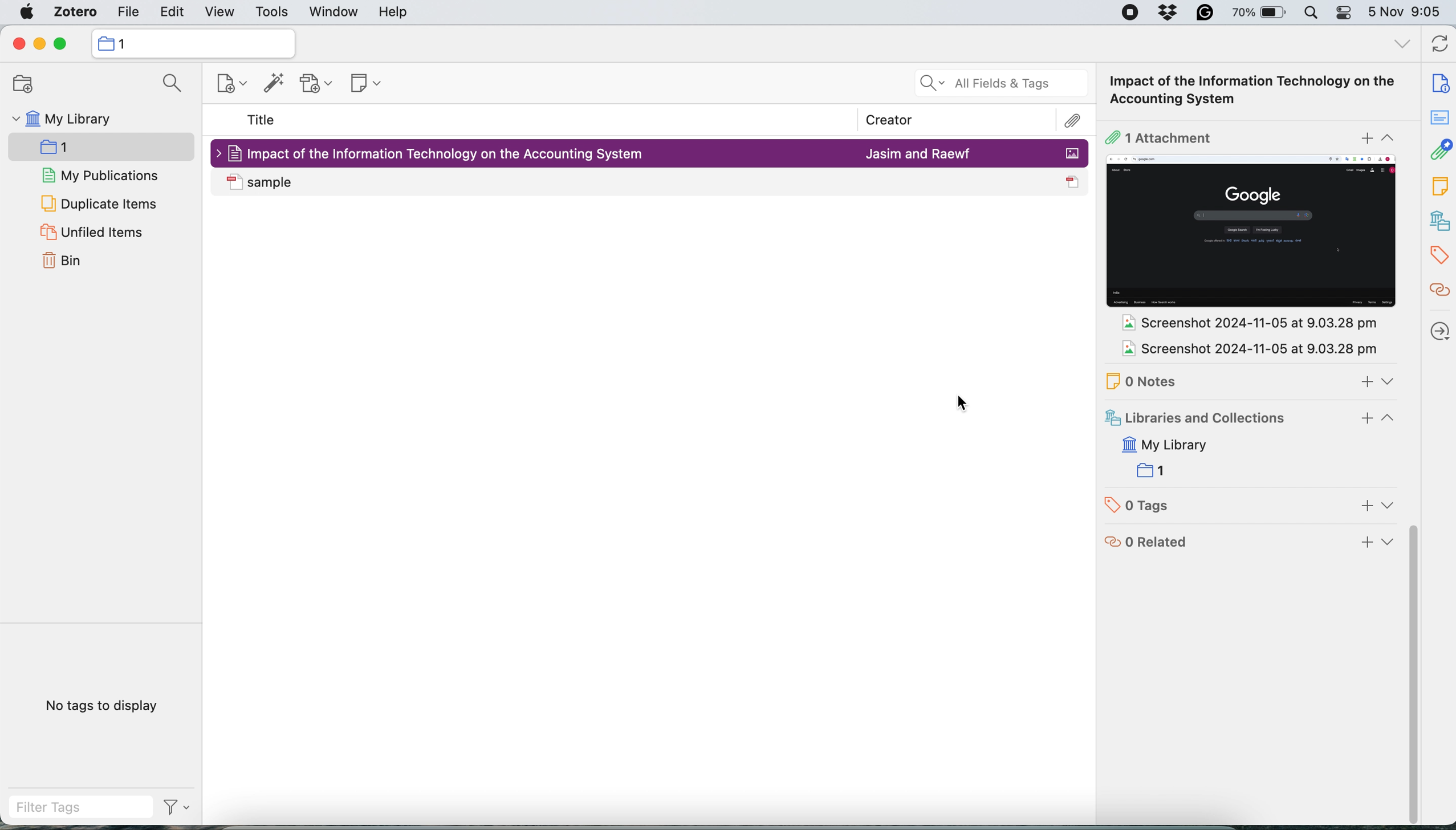 The width and height of the screenshot is (1456, 830). Describe the element at coordinates (1344, 15) in the screenshot. I see `control center` at that location.